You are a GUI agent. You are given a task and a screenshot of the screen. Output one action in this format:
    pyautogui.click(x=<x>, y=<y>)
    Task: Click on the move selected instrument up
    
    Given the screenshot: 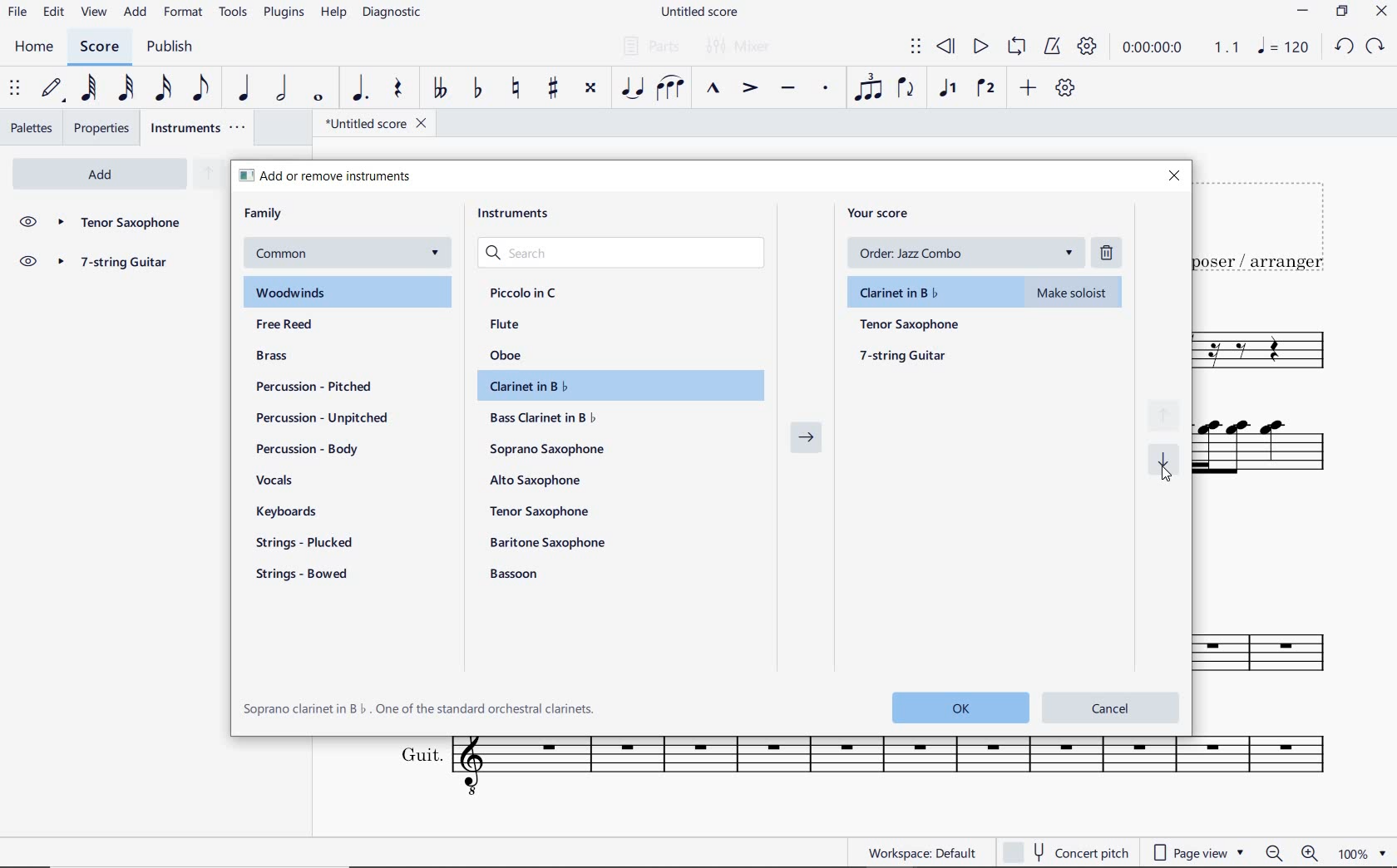 What is the action you would take?
    pyautogui.click(x=1168, y=414)
    